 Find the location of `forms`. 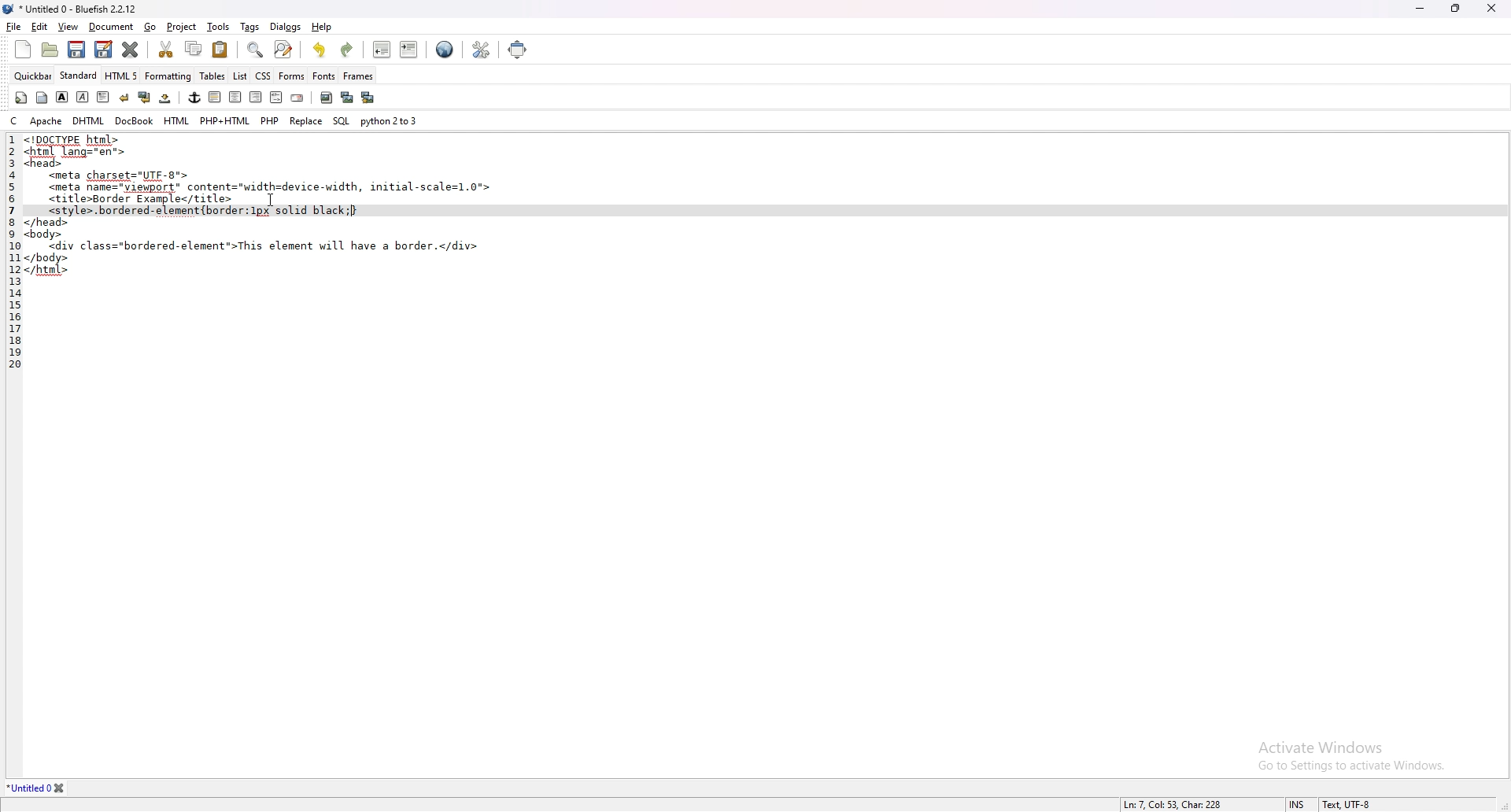

forms is located at coordinates (292, 76).